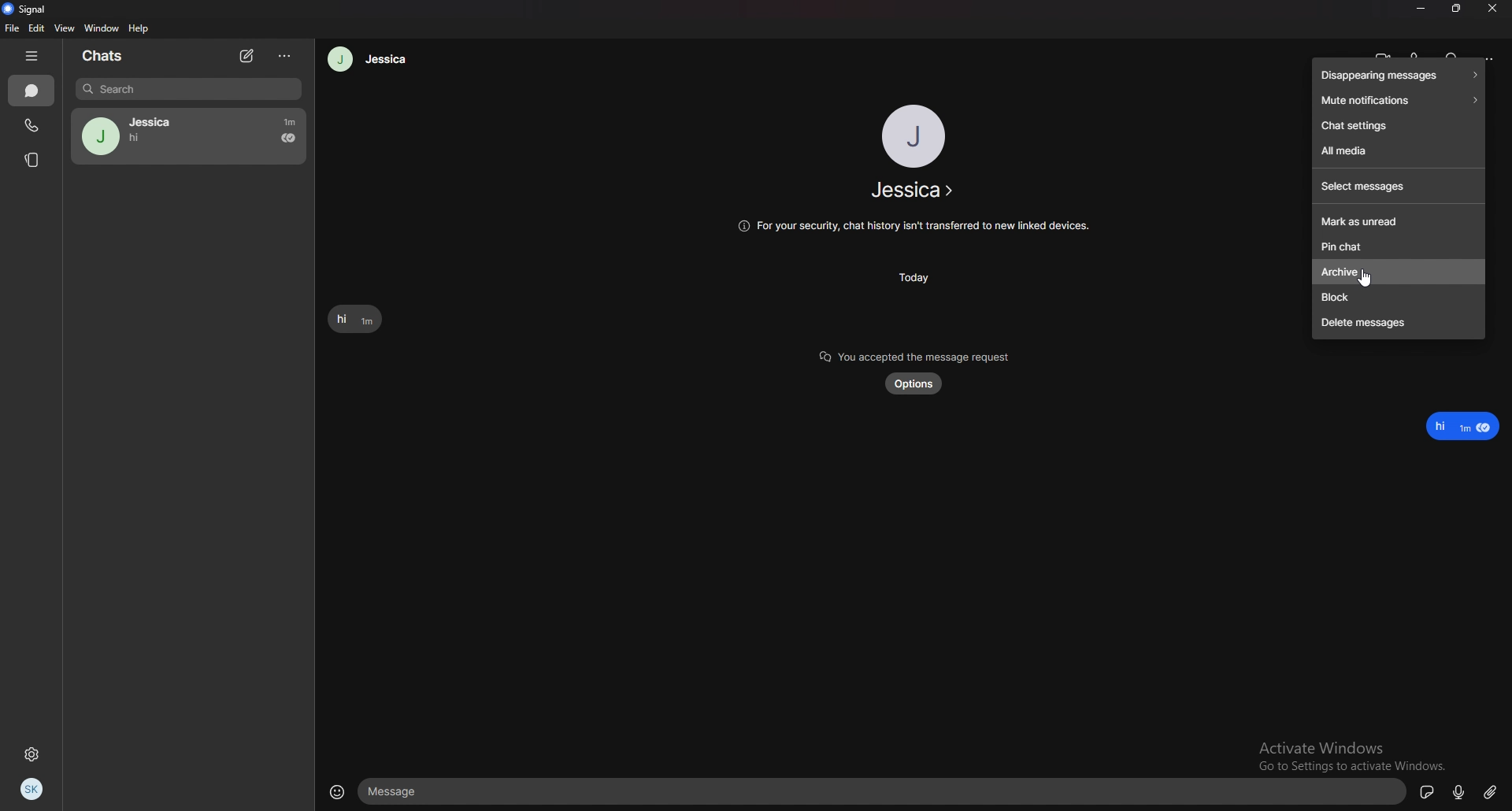 The image size is (1512, 811). Describe the element at coordinates (1453, 54) in the screenshot. I see `Search` at that location.